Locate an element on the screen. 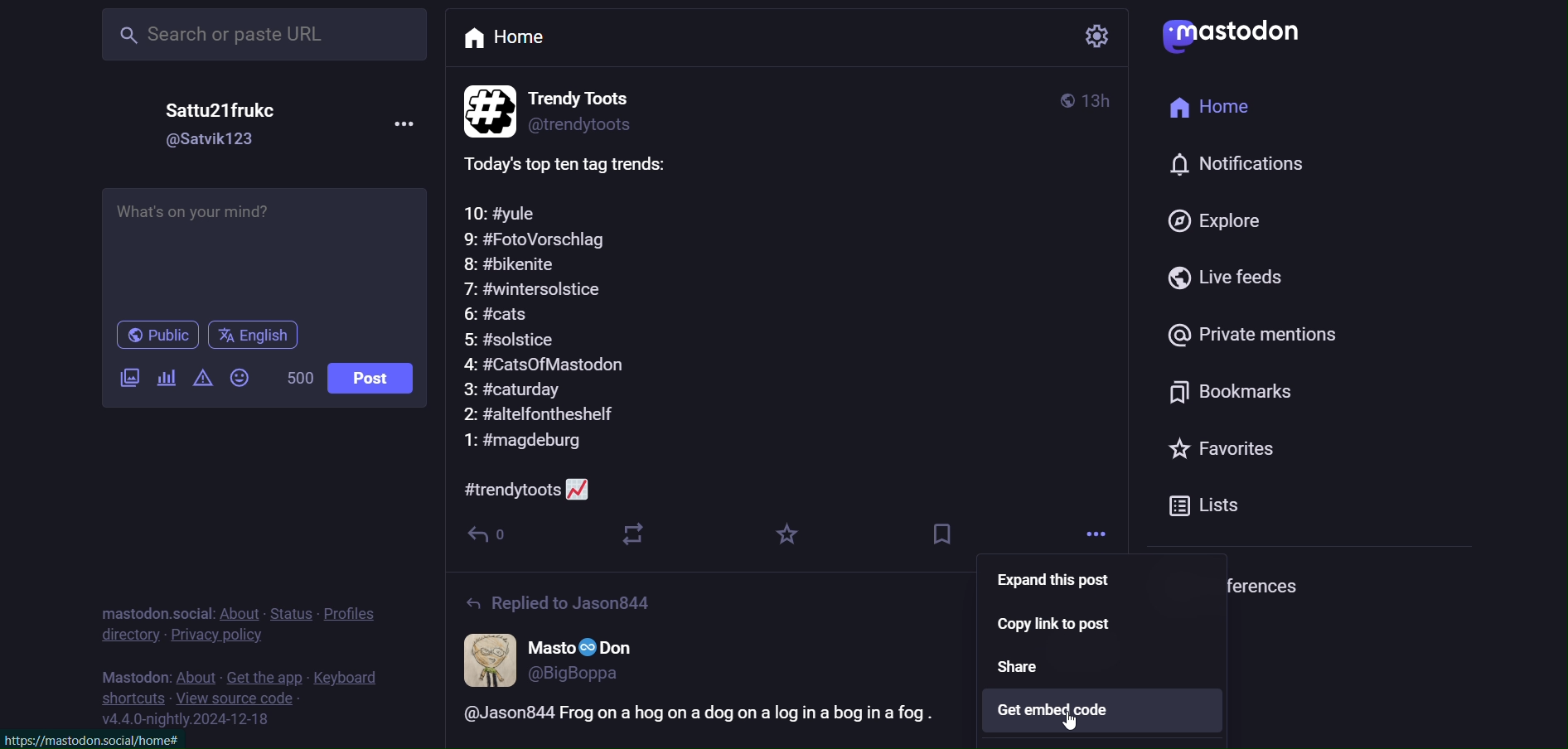 The image size is (1568, 749). lists is located at coordinates (1222, 505).